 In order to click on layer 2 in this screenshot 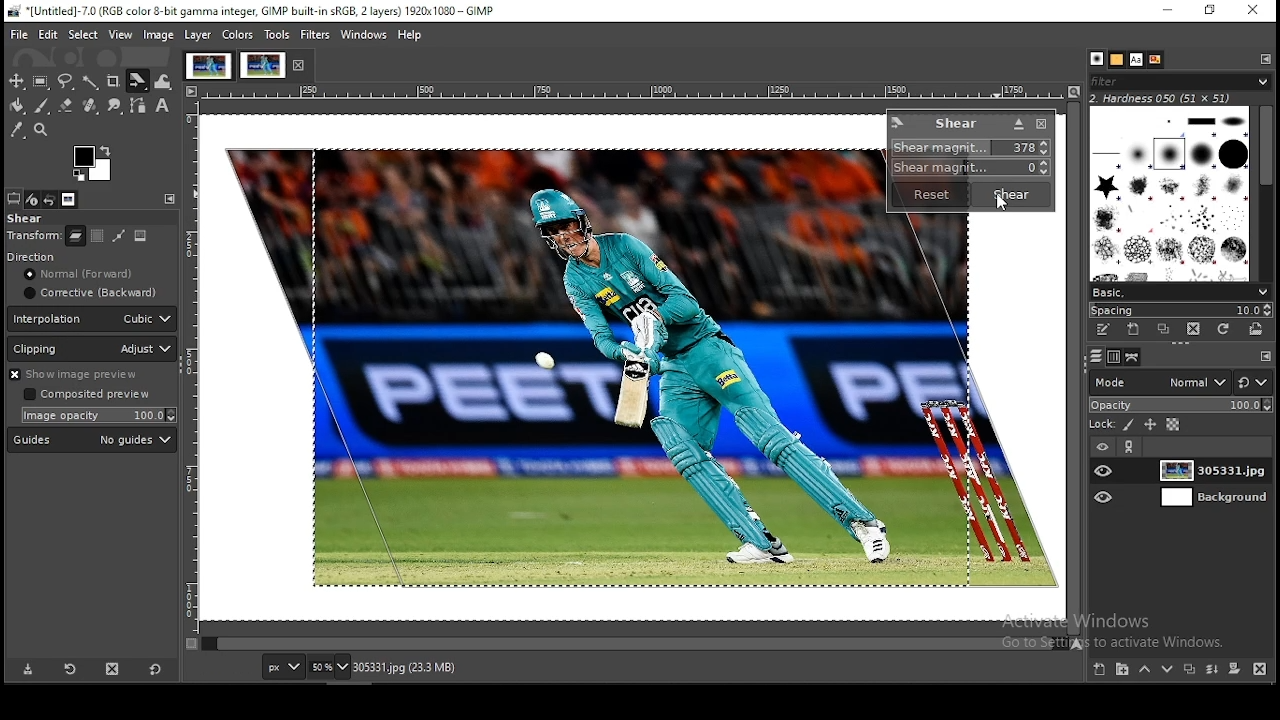, I will do `click(1207, 499)`.